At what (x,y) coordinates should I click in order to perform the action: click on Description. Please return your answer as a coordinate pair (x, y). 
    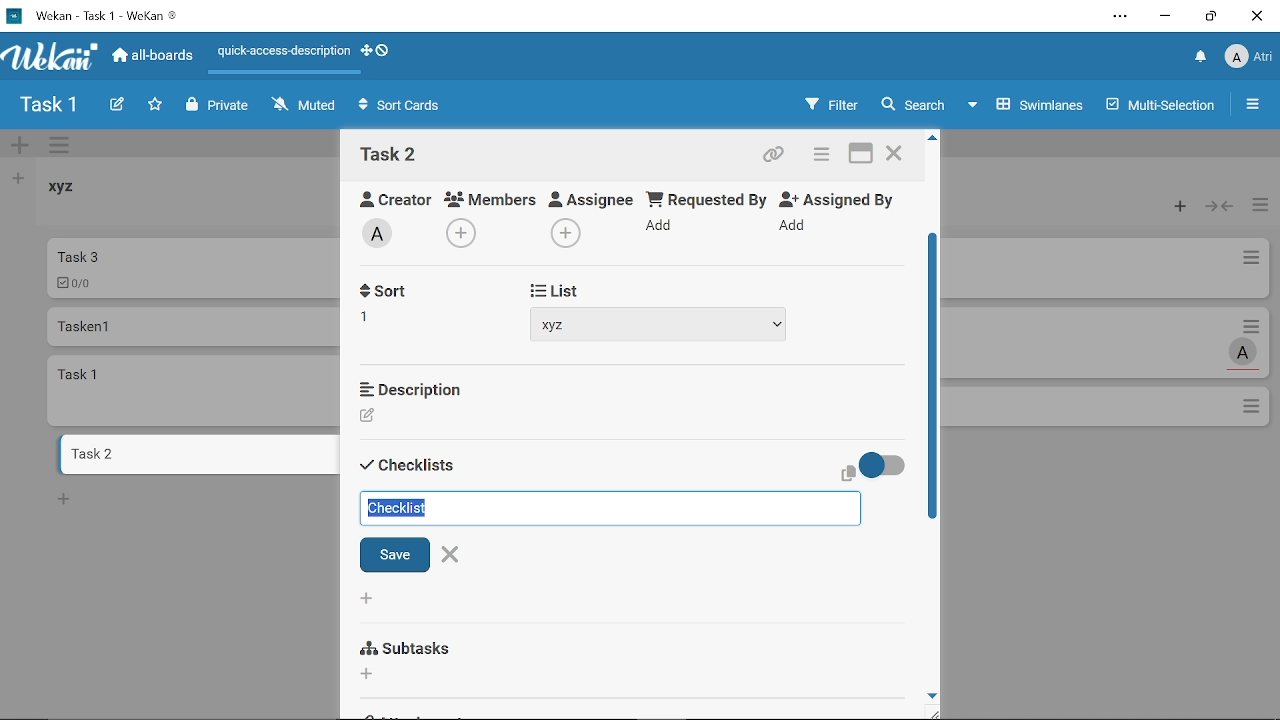
    Looking at the image, I should click on (410, 387).